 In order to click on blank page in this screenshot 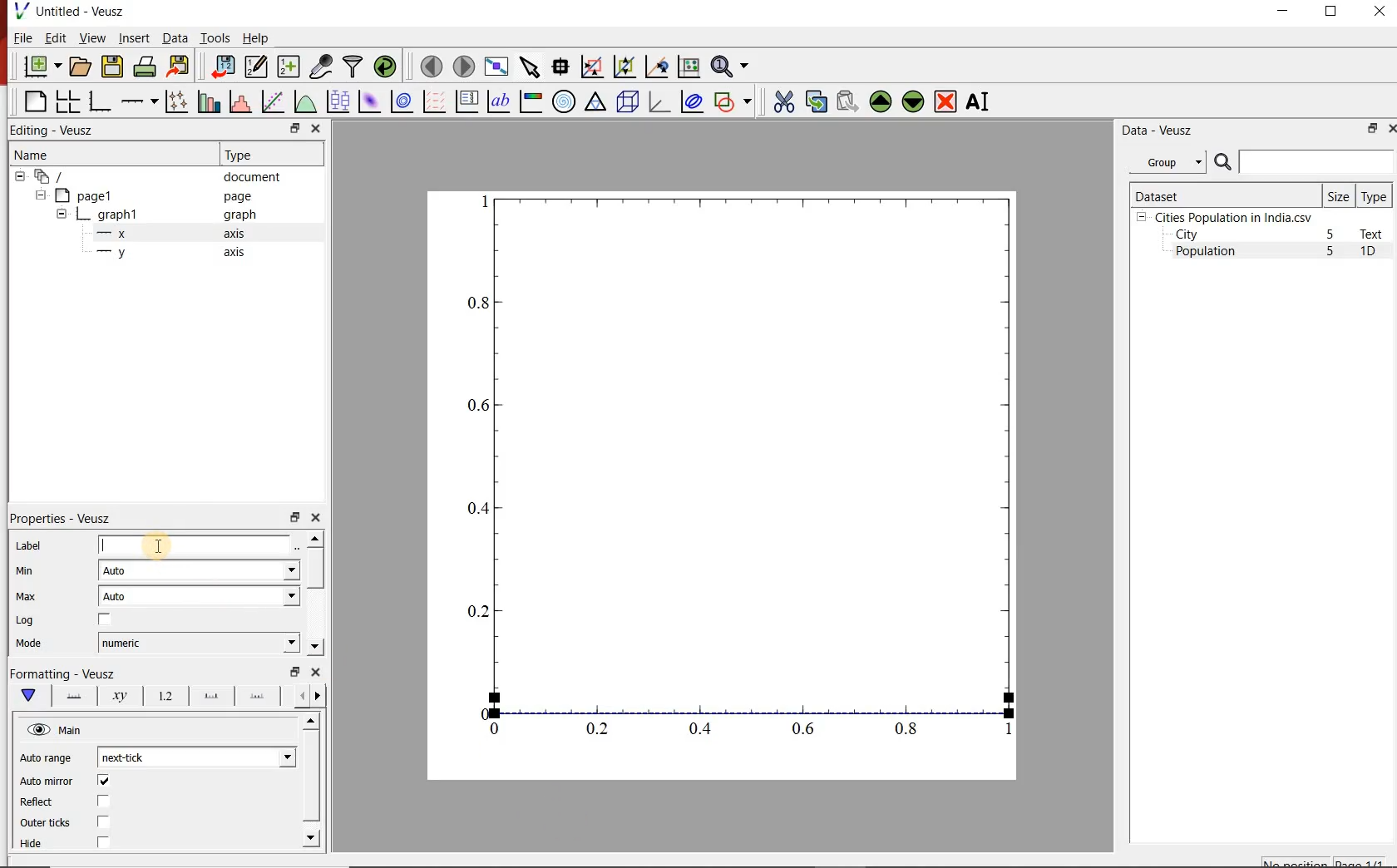, I will do `click(33, 102)`.